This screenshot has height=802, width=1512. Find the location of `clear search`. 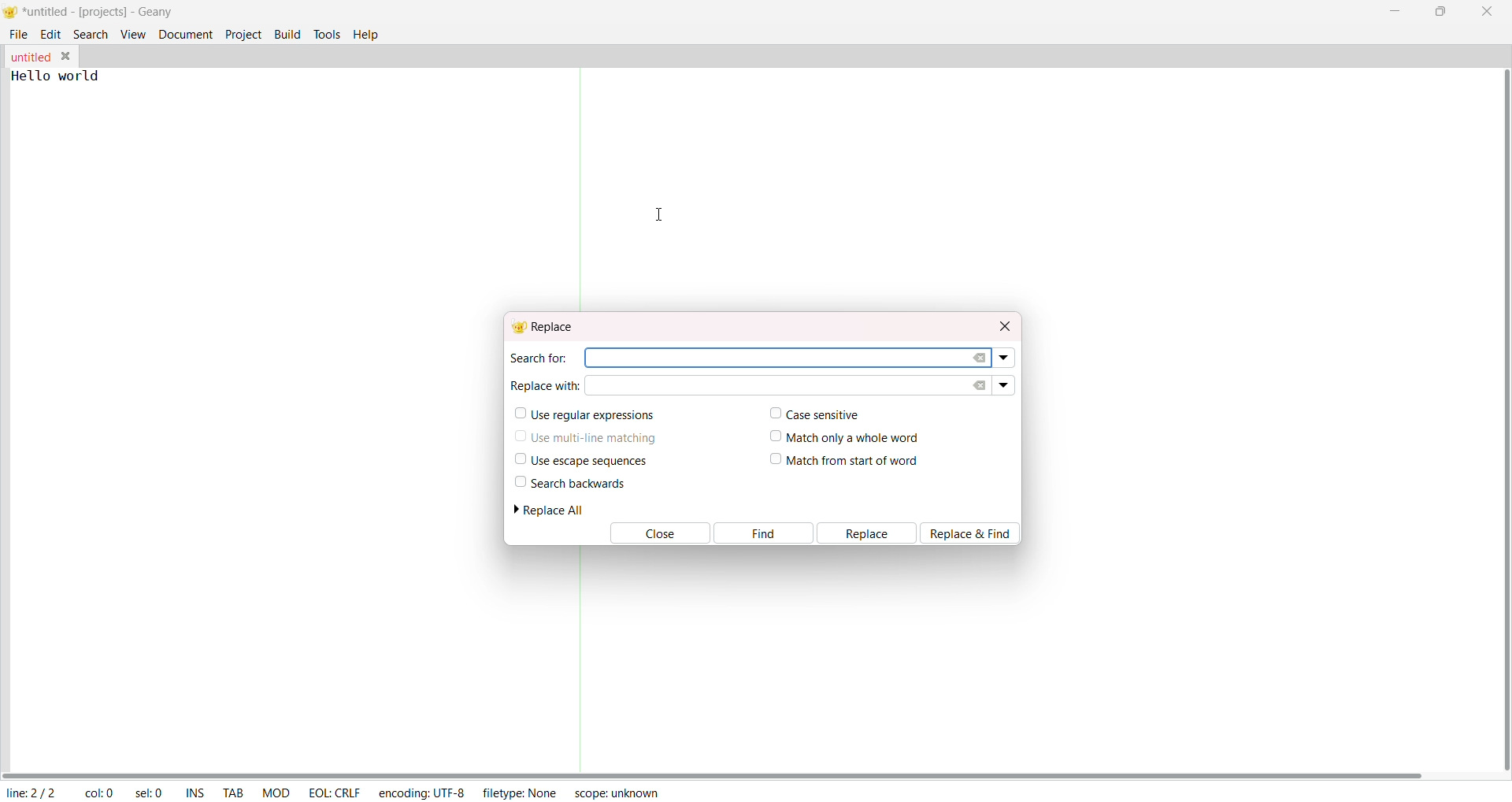

clear search is located at coordinates (980, 358).